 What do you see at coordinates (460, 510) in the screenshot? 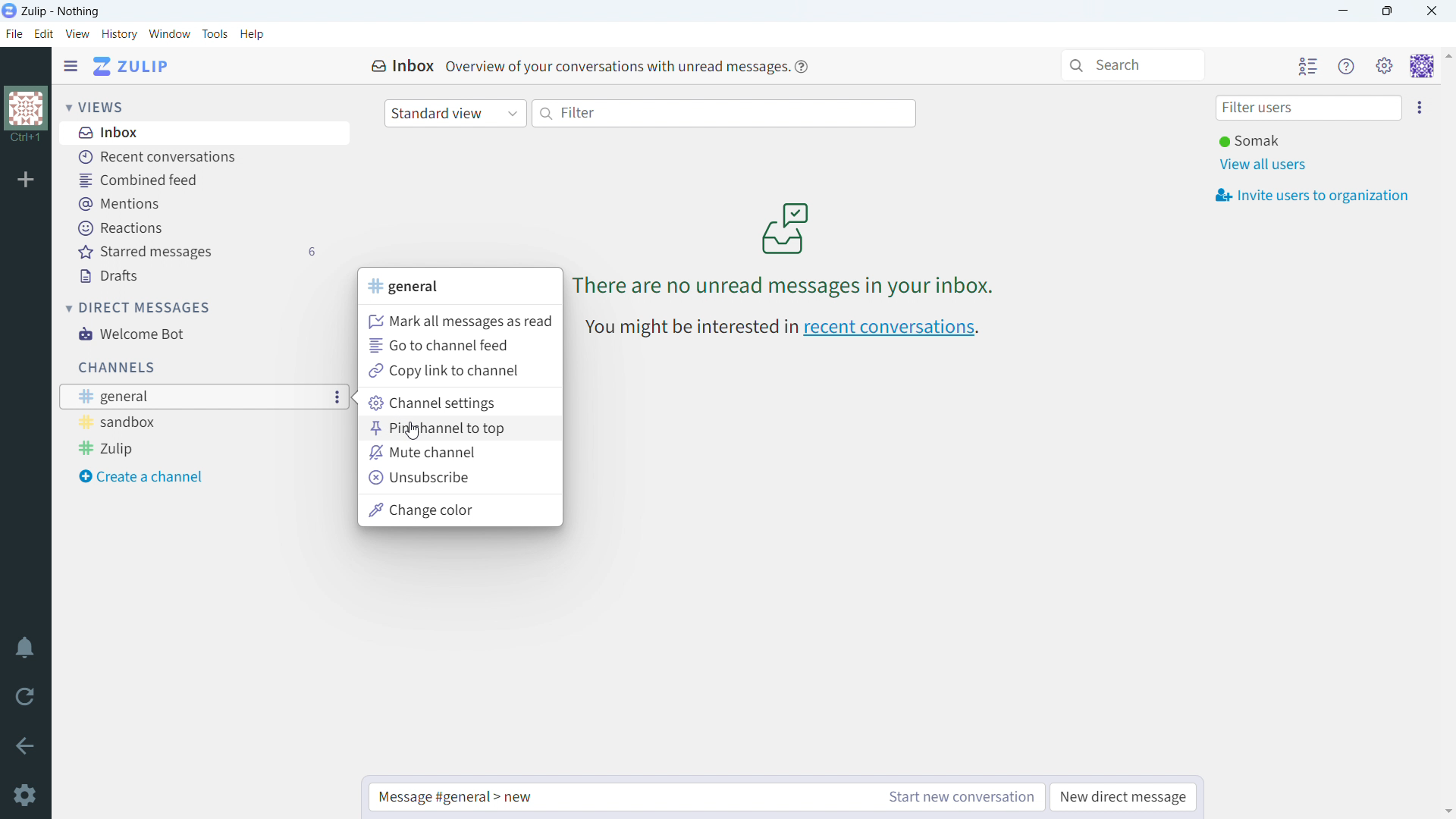
I see `change color` at bounding box center [460, 510].